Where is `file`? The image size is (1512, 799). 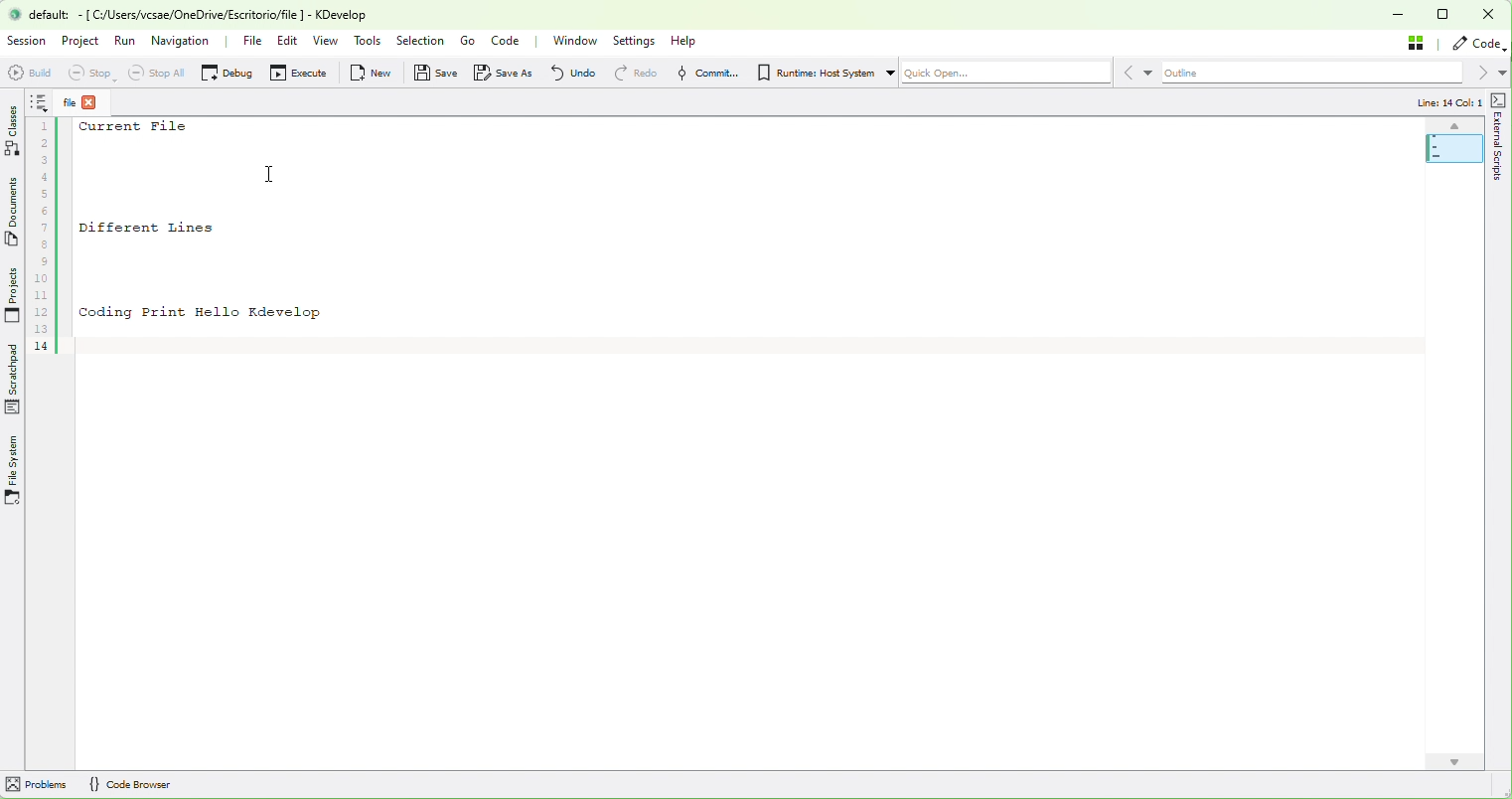
file is located at coordinates (69, 101).